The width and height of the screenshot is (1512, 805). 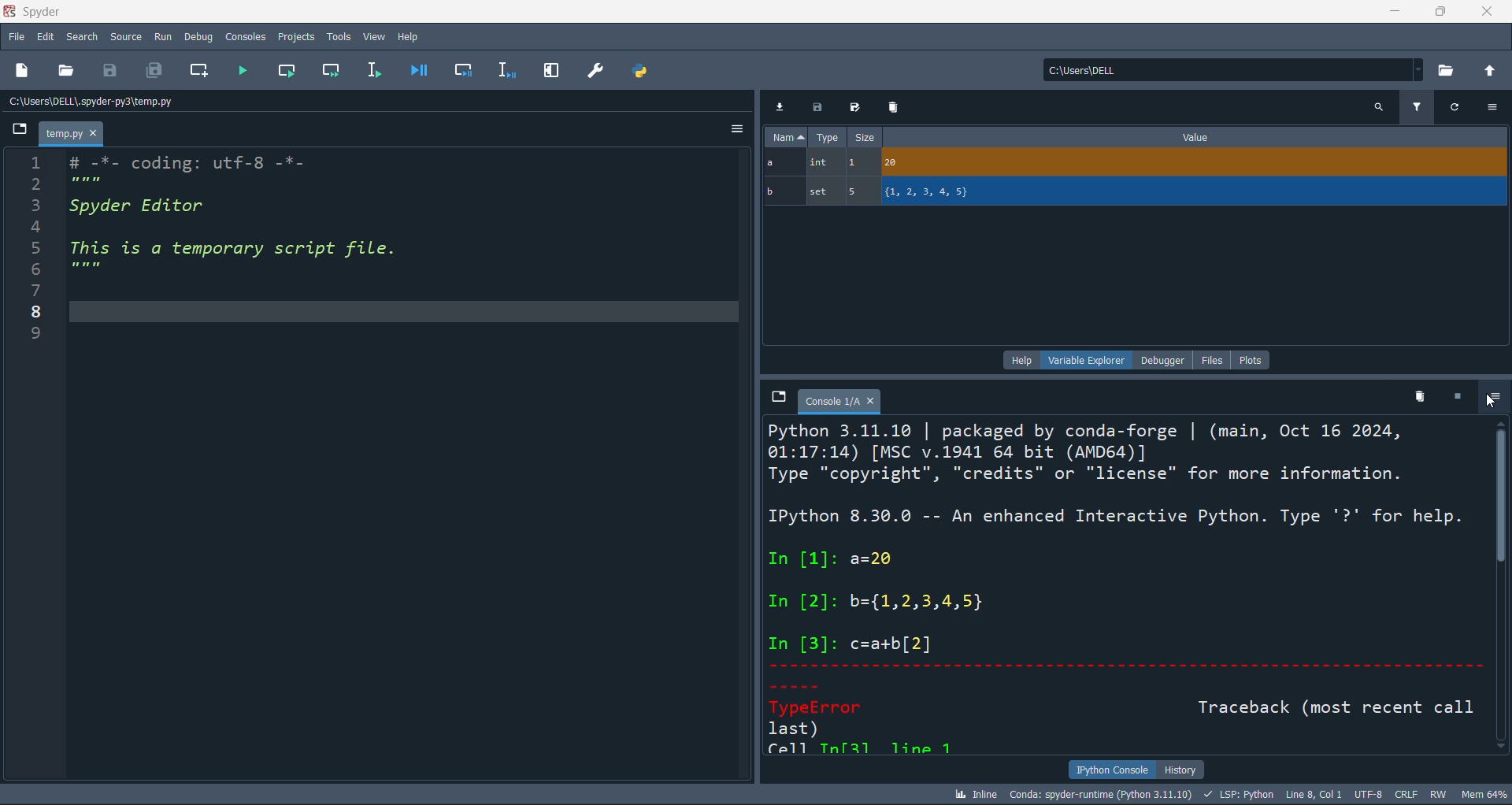 What do you see at coordinates (1216, 359) in the screenshot?
I see `file` at bounding box center [1216, 359].